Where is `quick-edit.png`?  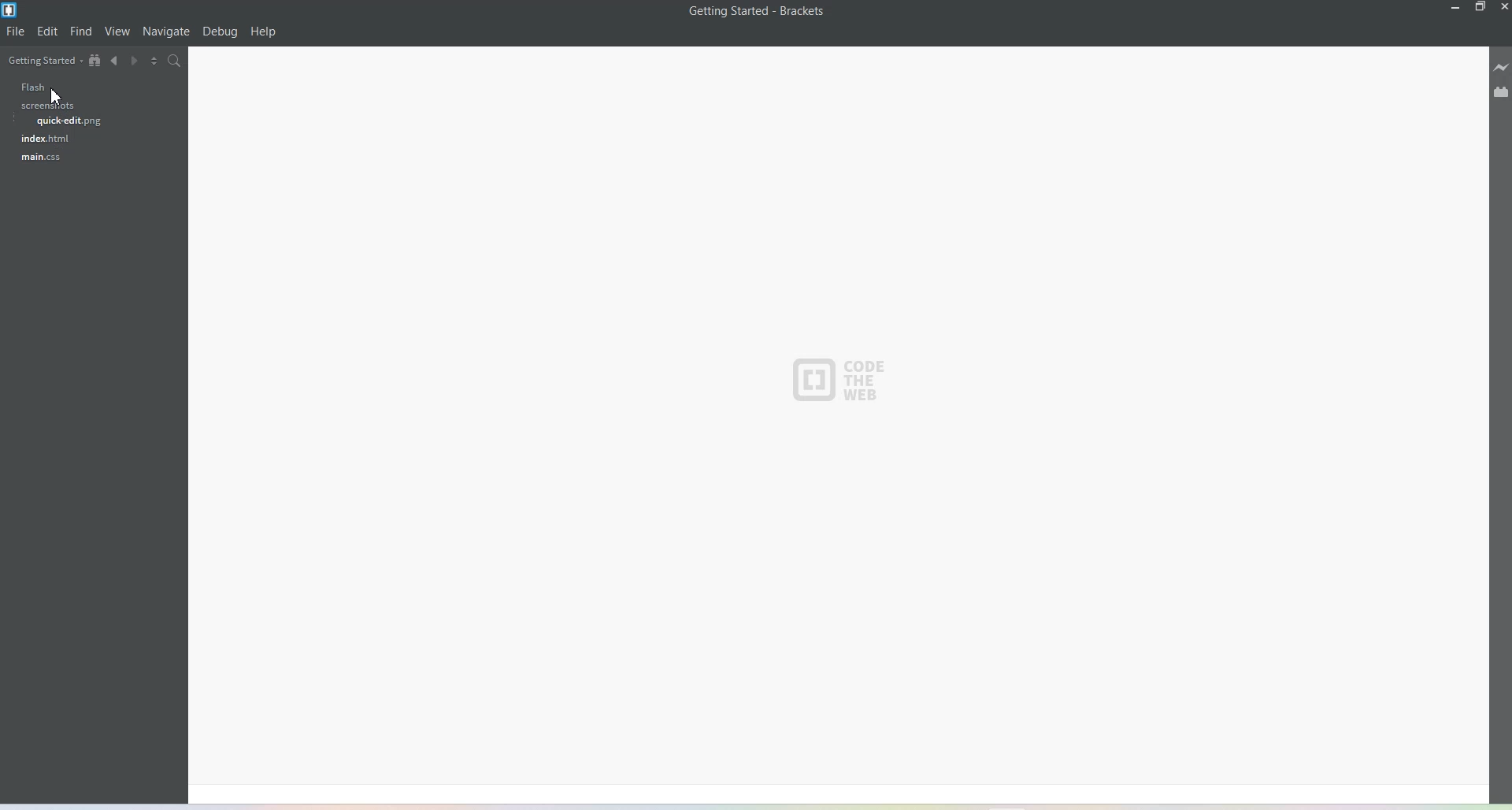
quick-edit.png is located at coordinates (69, 123).